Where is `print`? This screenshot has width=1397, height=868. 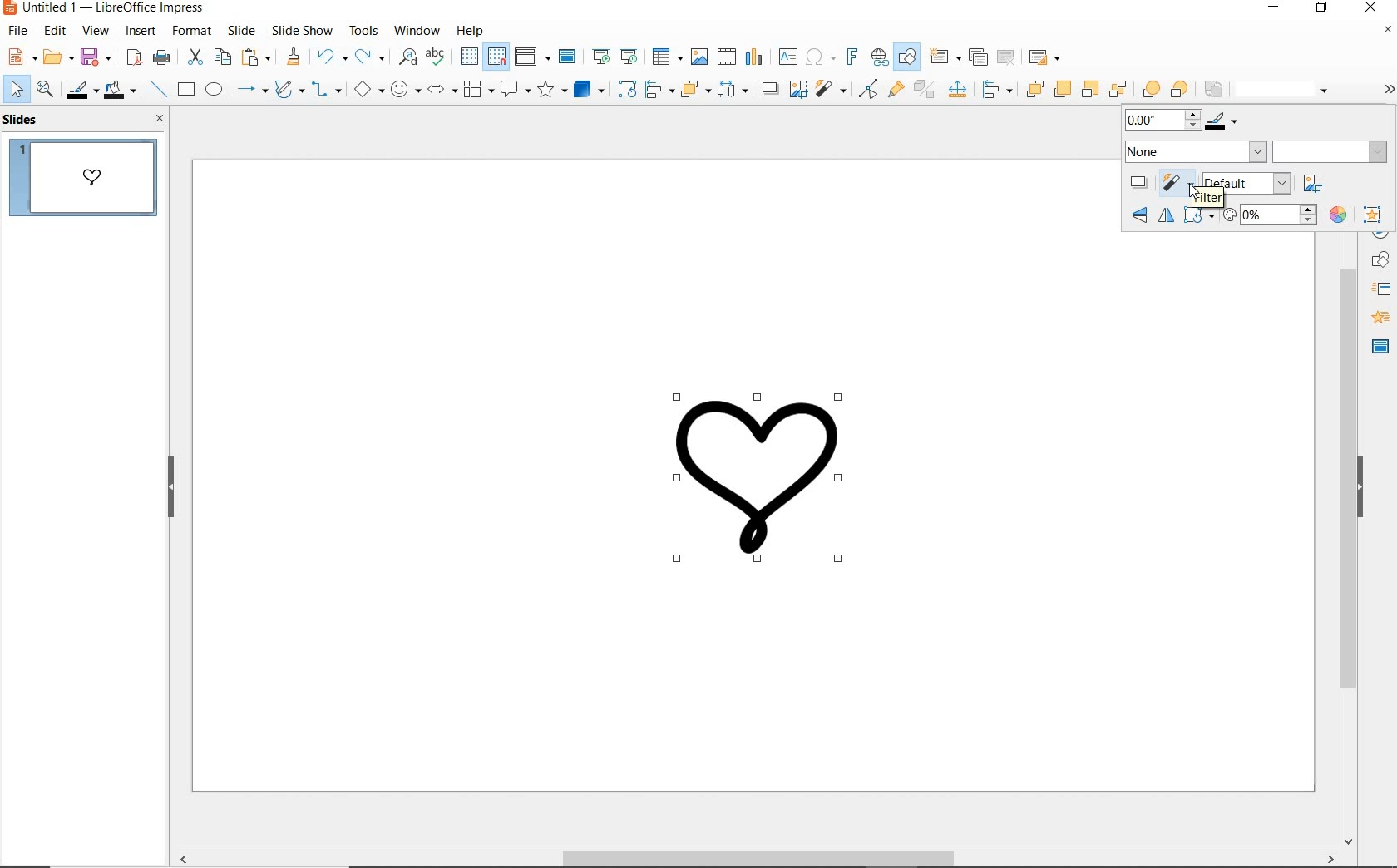 print is located at coordinates (161, 57).